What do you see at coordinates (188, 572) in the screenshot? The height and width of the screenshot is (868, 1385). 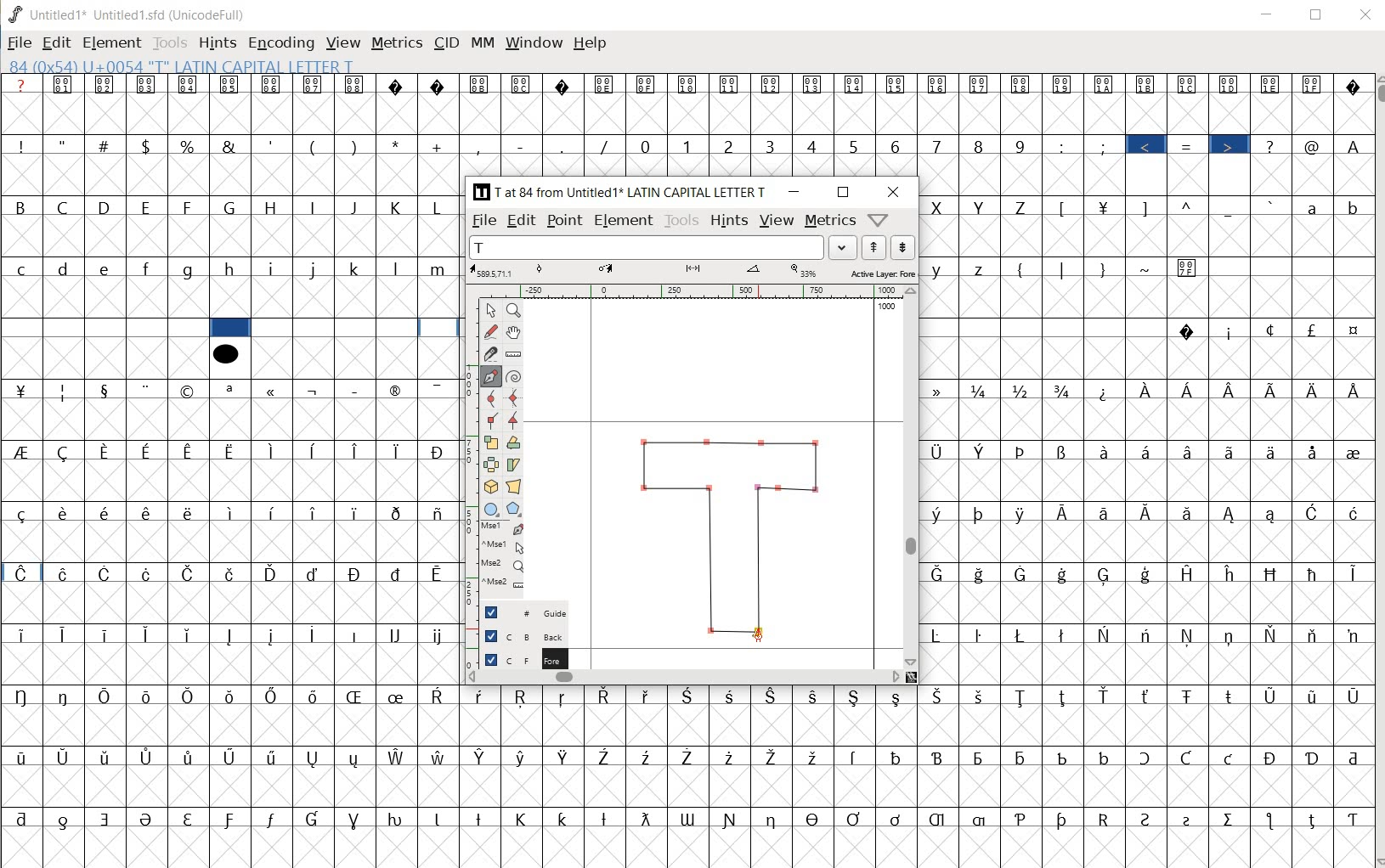 I see `Symbol` at bounding box center [188, 572].